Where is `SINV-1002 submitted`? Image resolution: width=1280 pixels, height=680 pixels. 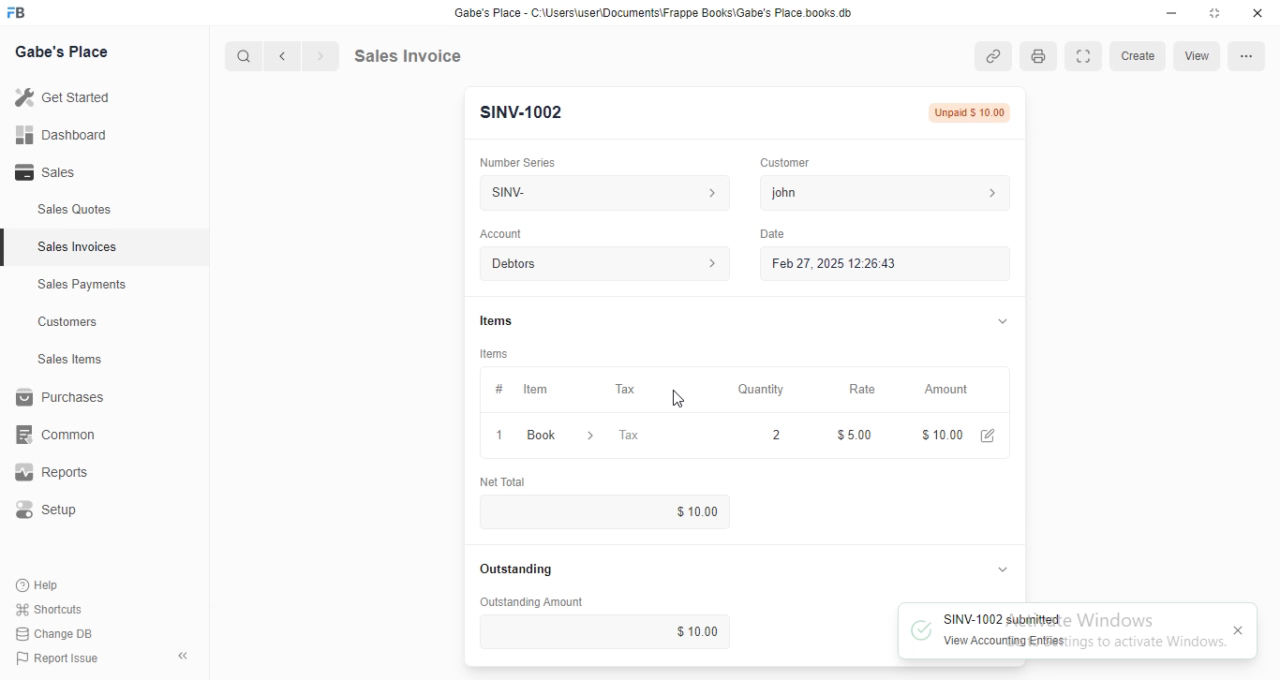
SINV-1002 submitted is located at coordinates (1005, 620).